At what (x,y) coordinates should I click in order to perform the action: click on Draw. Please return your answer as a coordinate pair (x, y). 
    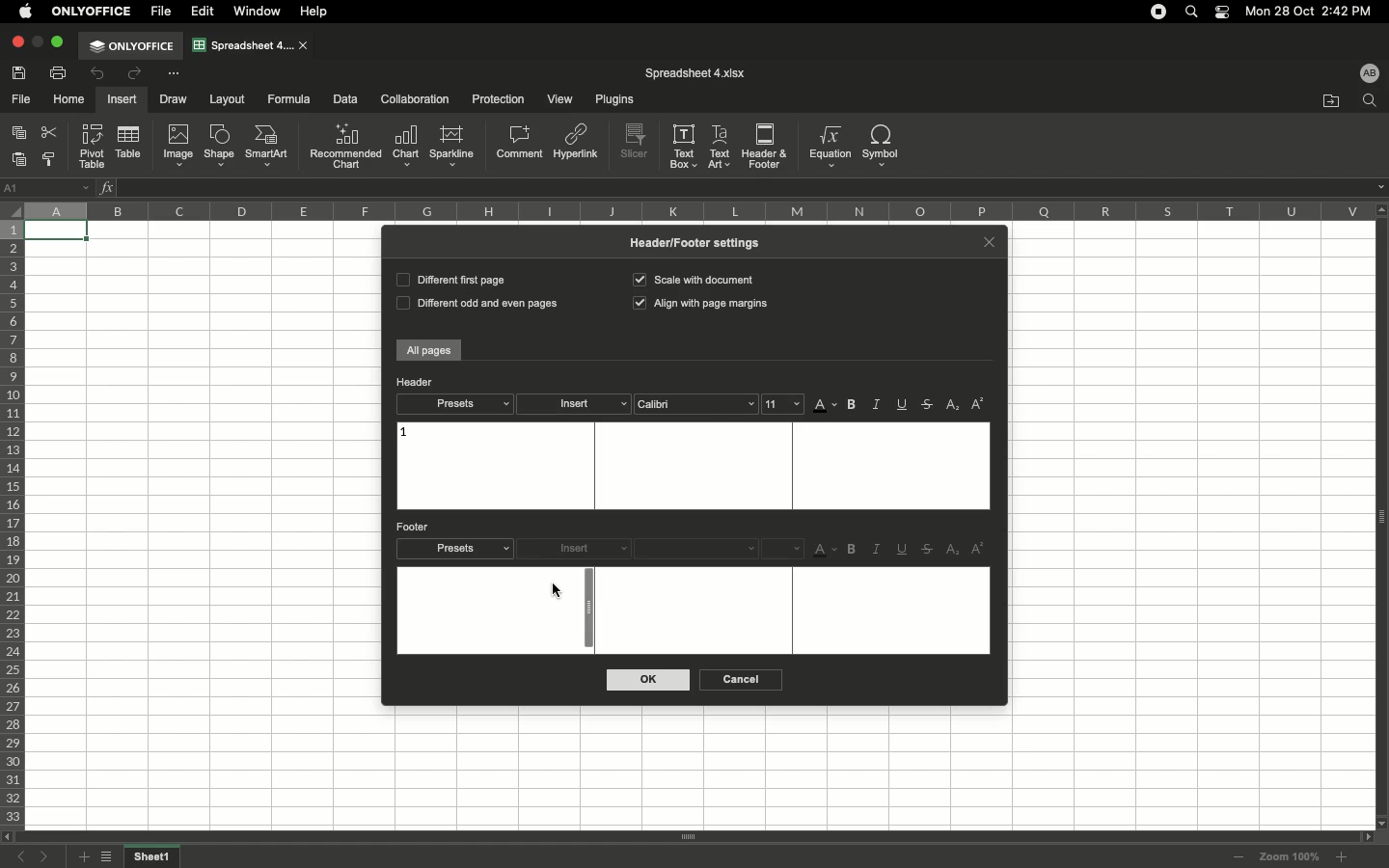
    Looking at the image, I should click on (176, 98).